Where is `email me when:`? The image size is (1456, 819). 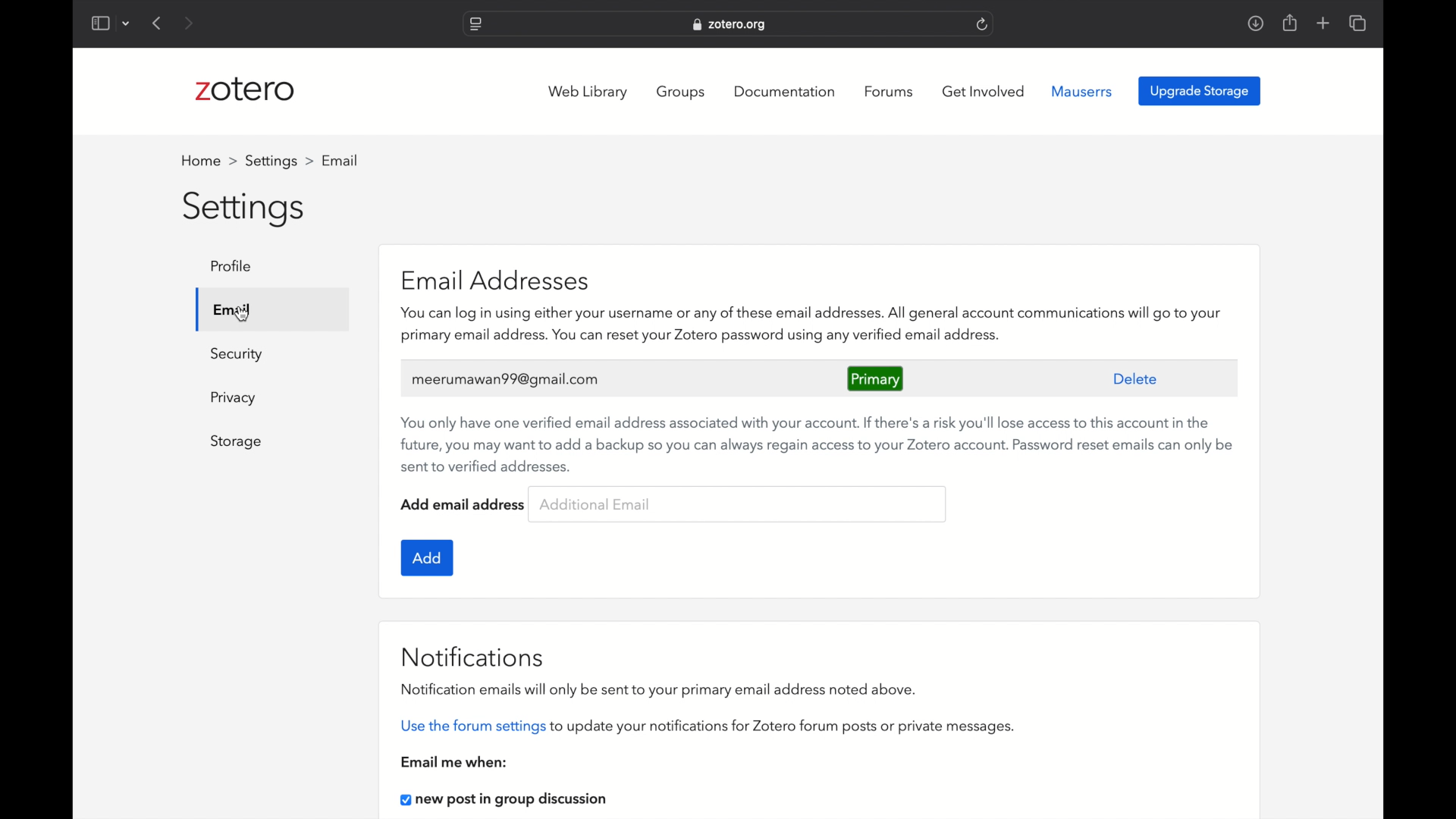
email me when: is located at coordinates (456, 764).